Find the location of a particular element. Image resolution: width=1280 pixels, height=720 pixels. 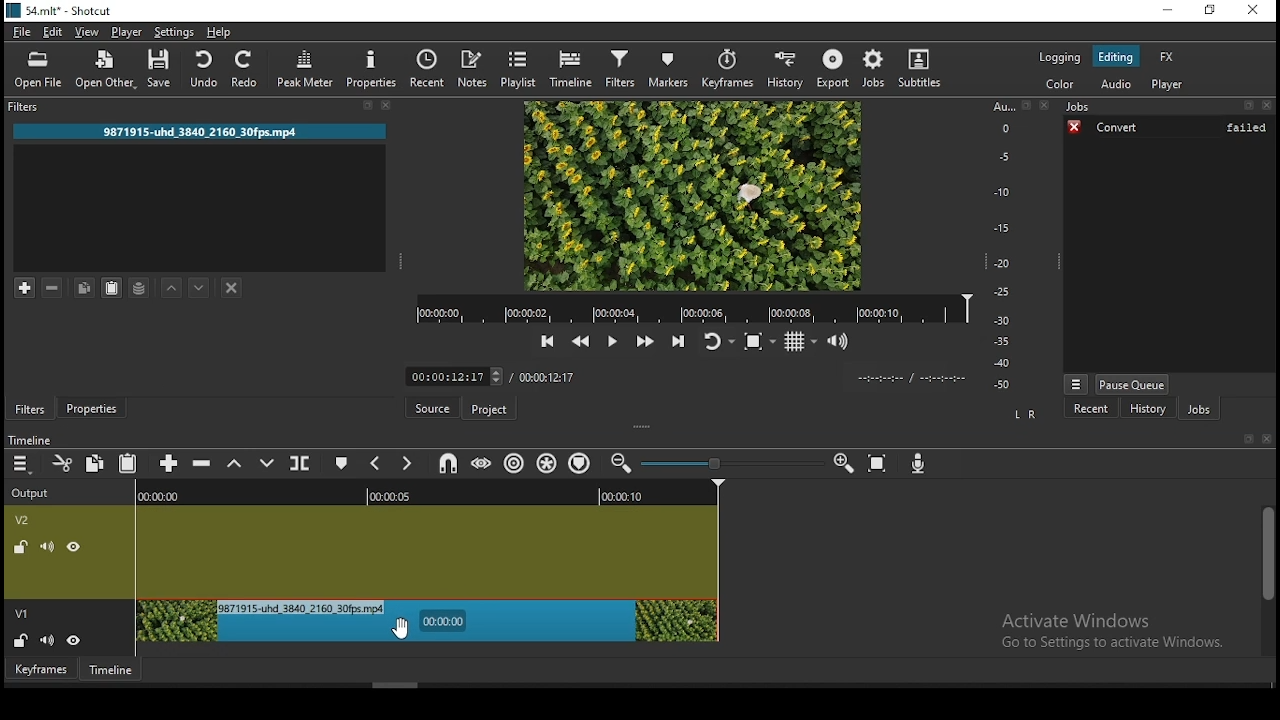

view/hide is located at coordinates (73, 548).